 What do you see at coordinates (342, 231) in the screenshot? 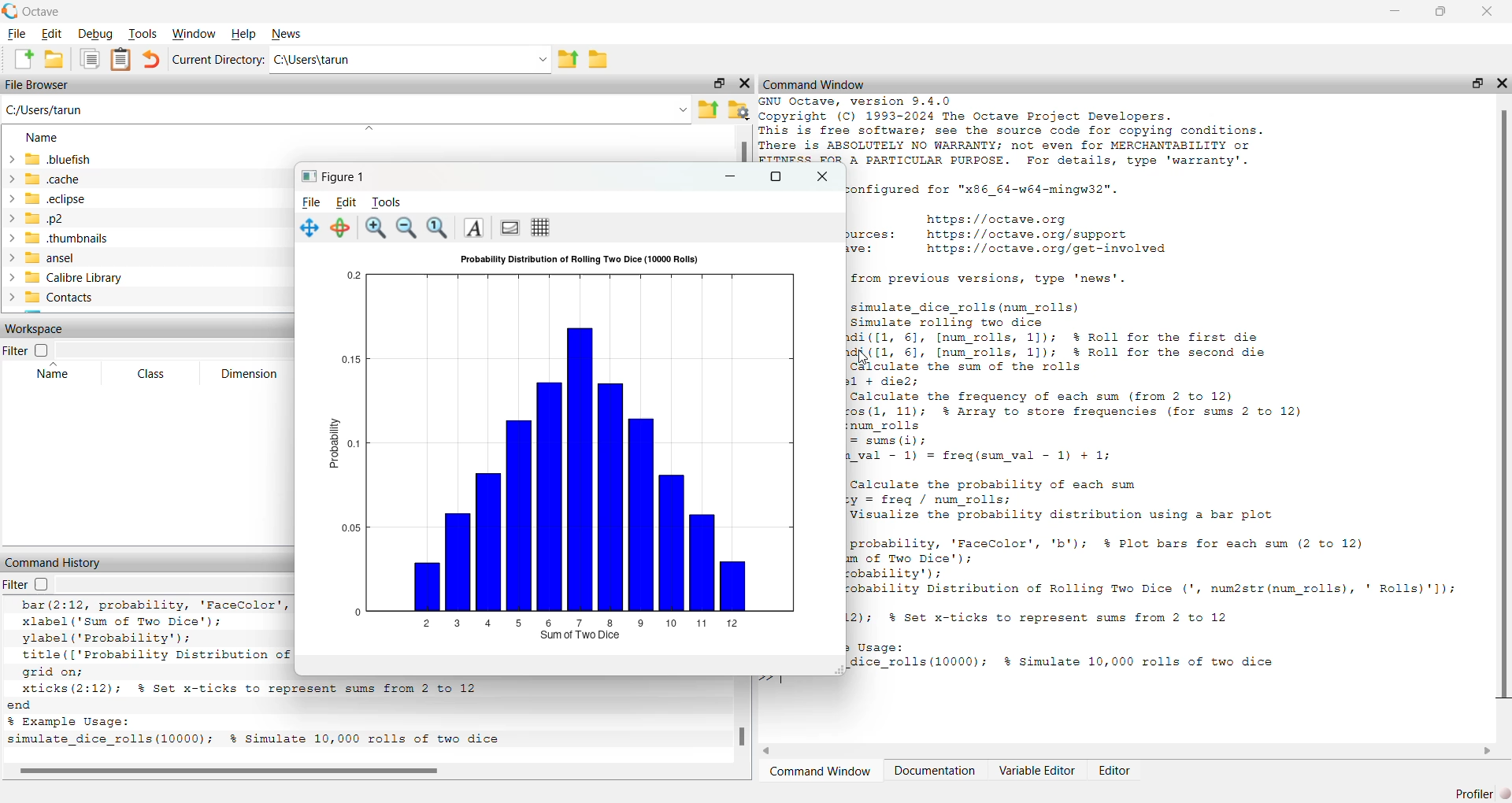
I see `rotate` at bounding box center [342, 231].